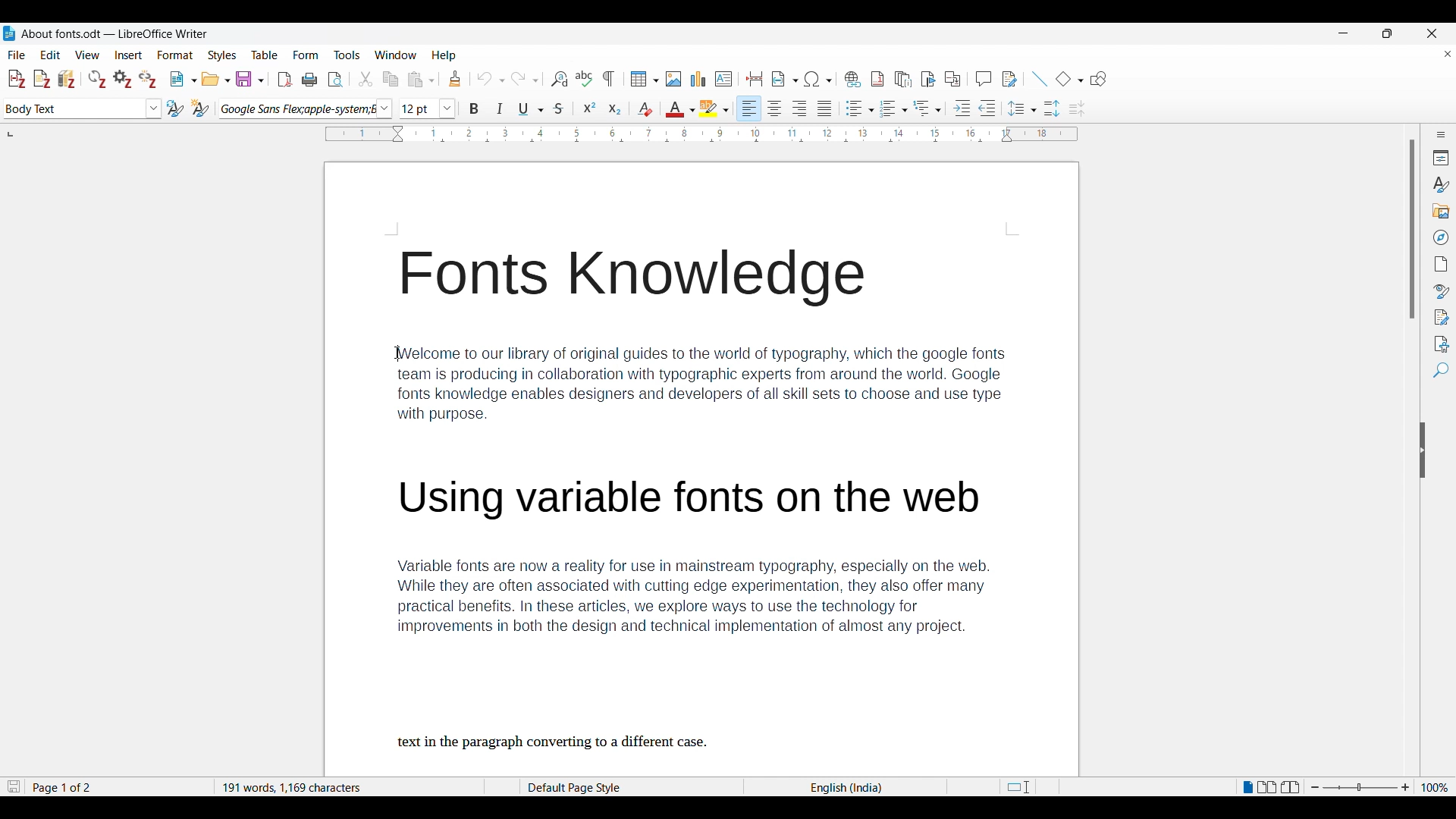  Describe the element at coordinates (818, 79) in the screenshot. I see `Special character options` at that location.